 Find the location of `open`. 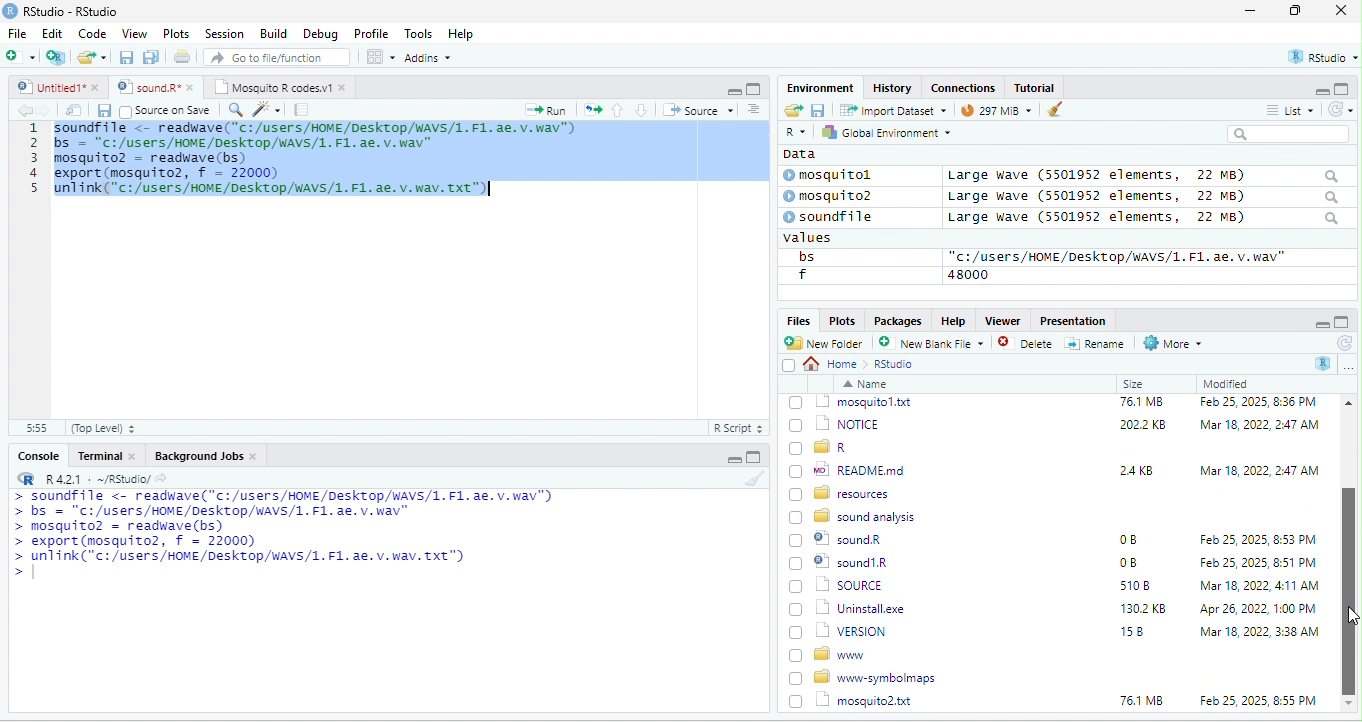

open is located at coordinates (184, 59).